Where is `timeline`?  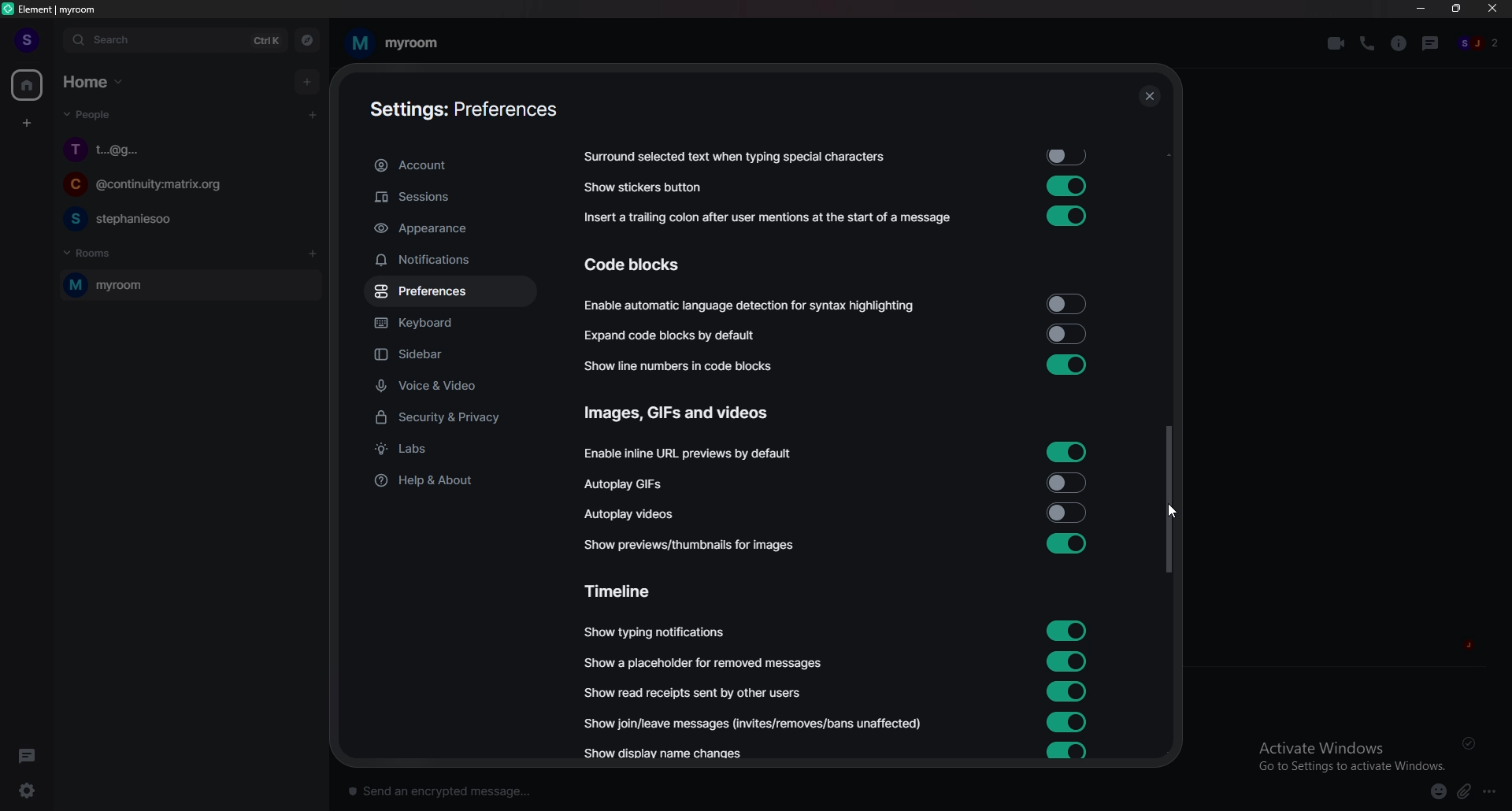 timeline is located at coordinates (626, 590).